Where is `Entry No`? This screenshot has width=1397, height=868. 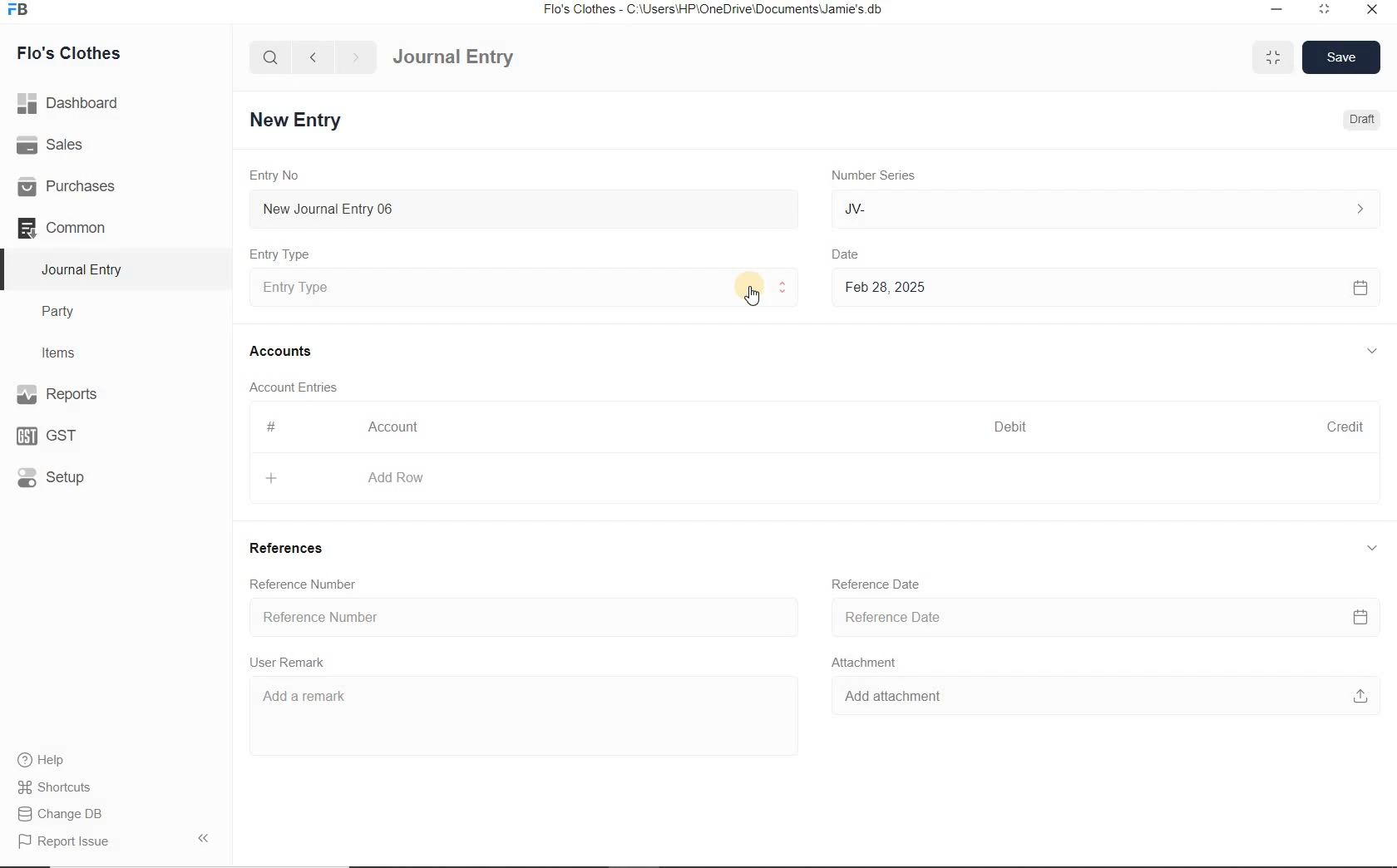
Entry No is located at coordinates (277, 175).